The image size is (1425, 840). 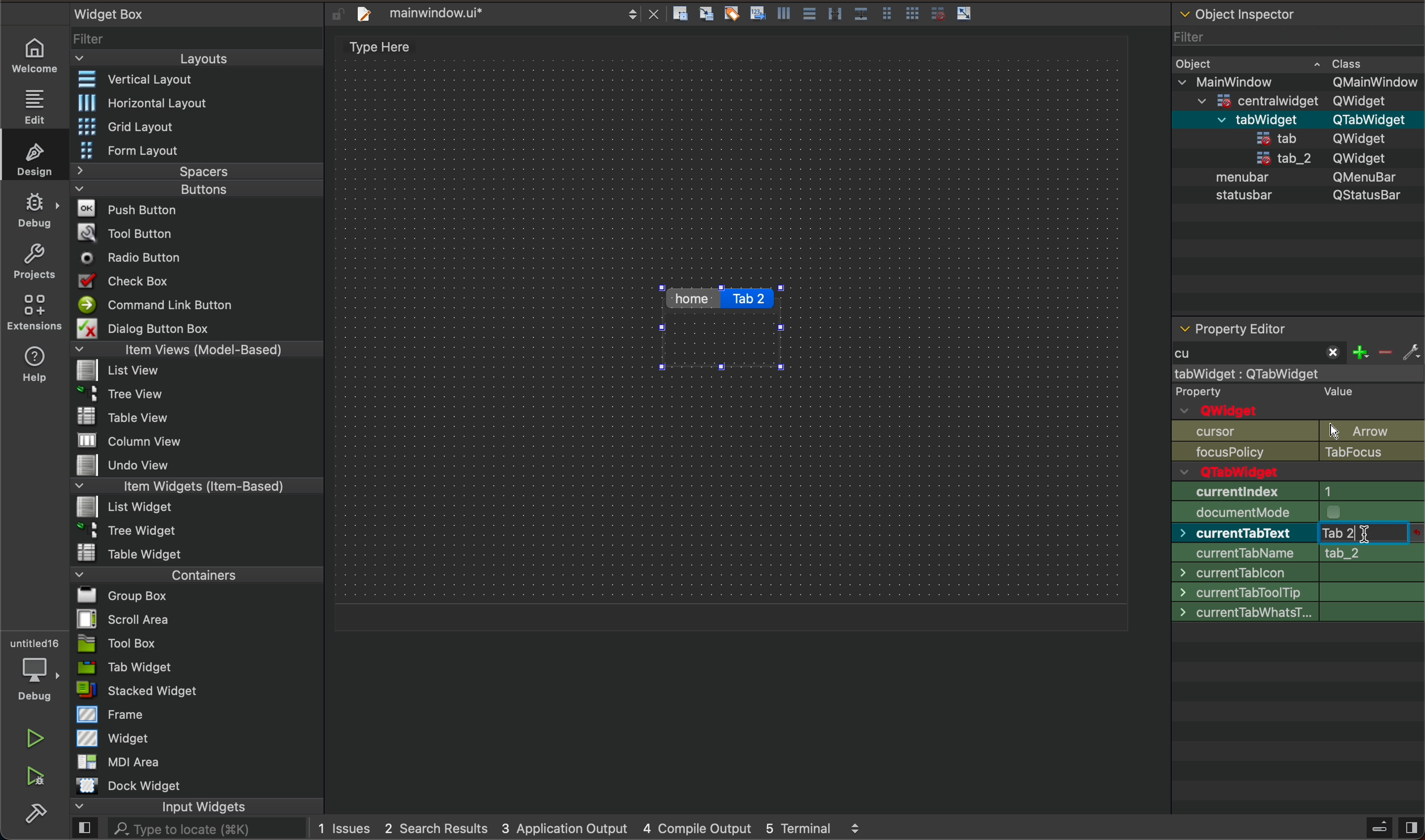 What do you see at coordinates (134, 641) in the screenshot?
I see `Tool Box` at bounding box center [134, 641].